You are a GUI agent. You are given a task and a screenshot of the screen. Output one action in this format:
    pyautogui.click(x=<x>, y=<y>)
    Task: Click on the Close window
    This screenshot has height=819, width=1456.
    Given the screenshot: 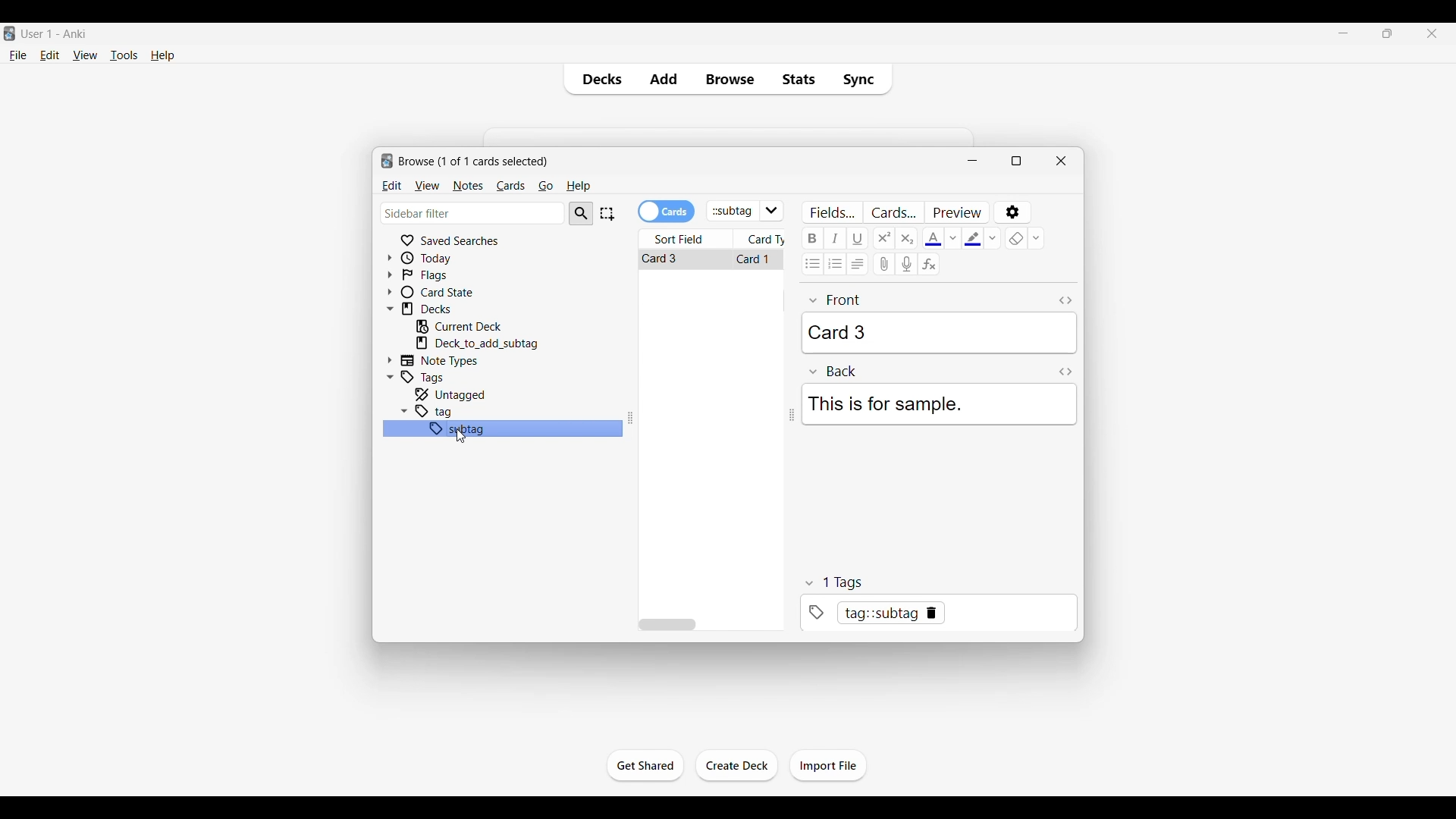 What is the action you would take?
    pyautogui.click(x=1062, y=161)
    